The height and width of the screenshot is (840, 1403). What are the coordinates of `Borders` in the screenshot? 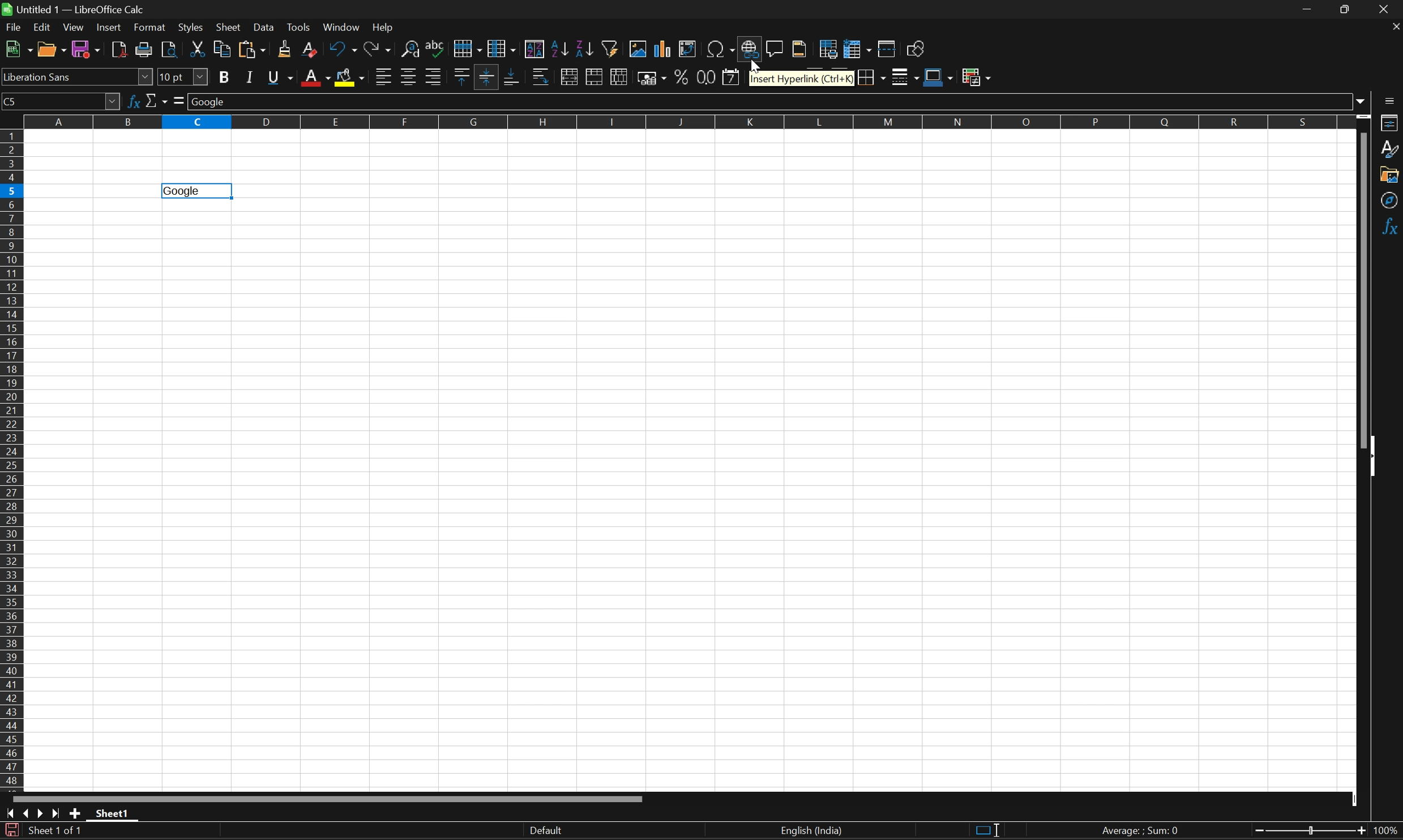 It's located at (874, 77).